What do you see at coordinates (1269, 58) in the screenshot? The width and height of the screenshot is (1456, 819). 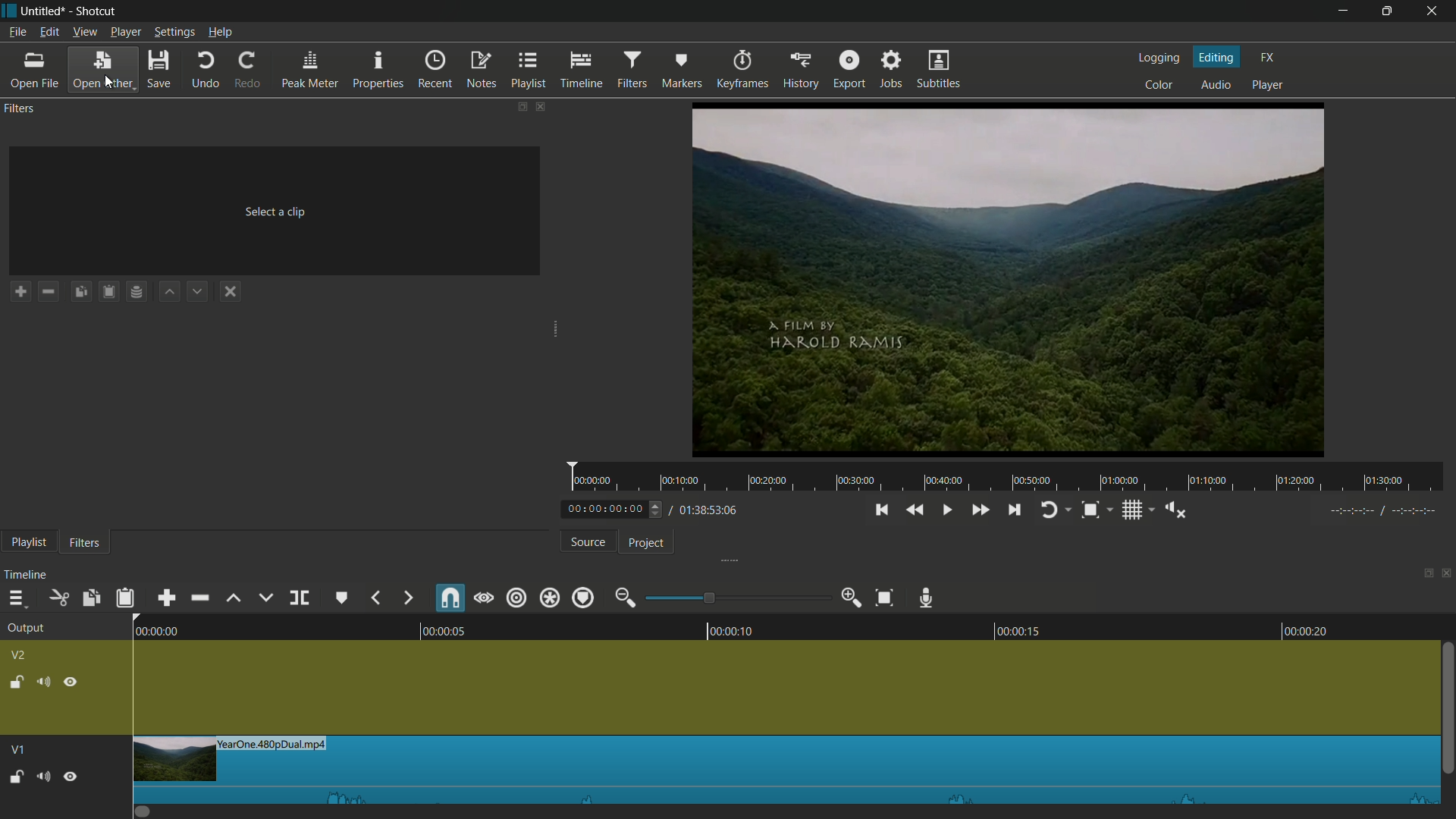 I see `fx` at bounding box center [1269, 58].